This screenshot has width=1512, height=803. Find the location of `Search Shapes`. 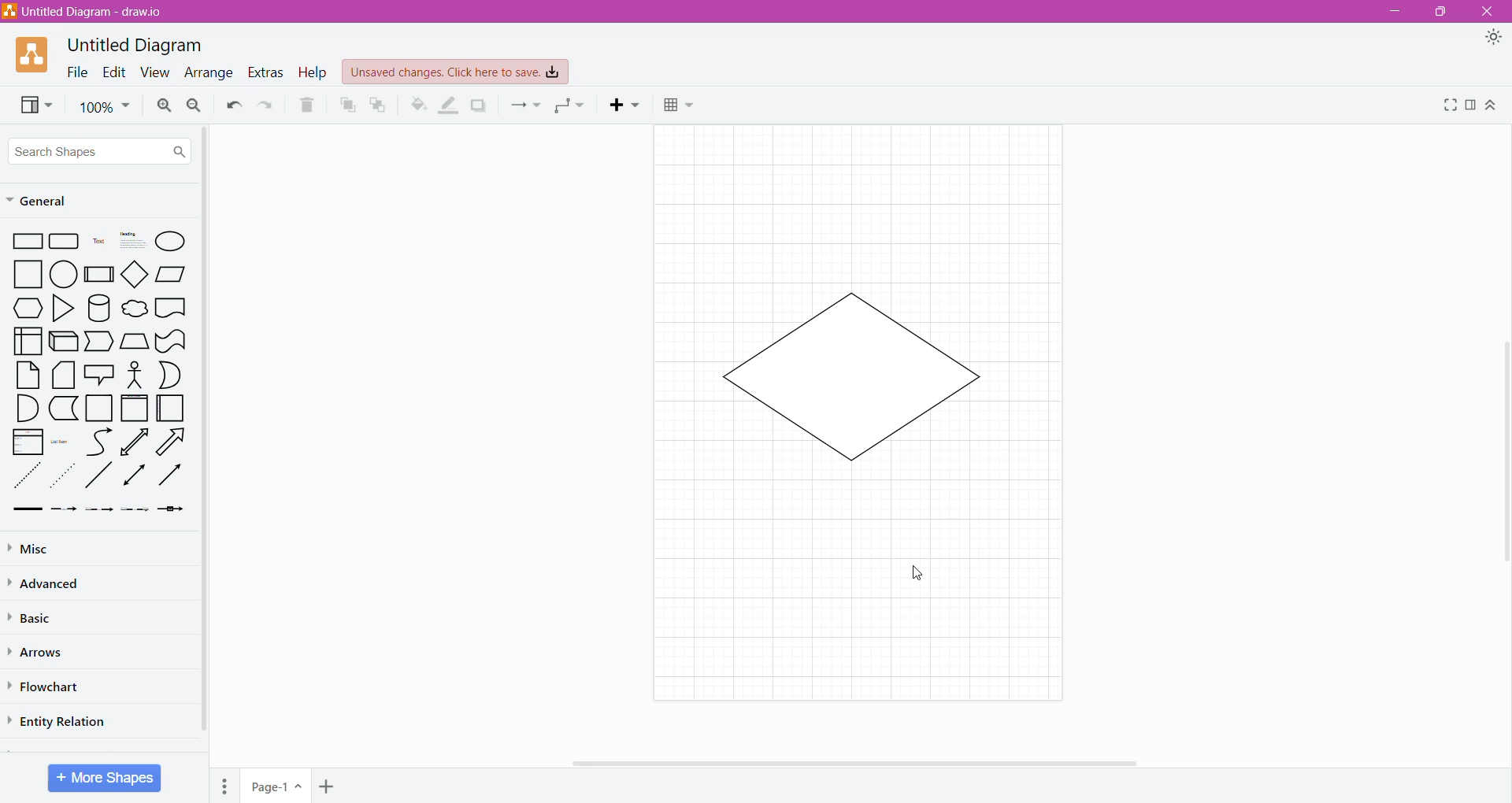

Search Shapes is located at coordinates (101, 149).